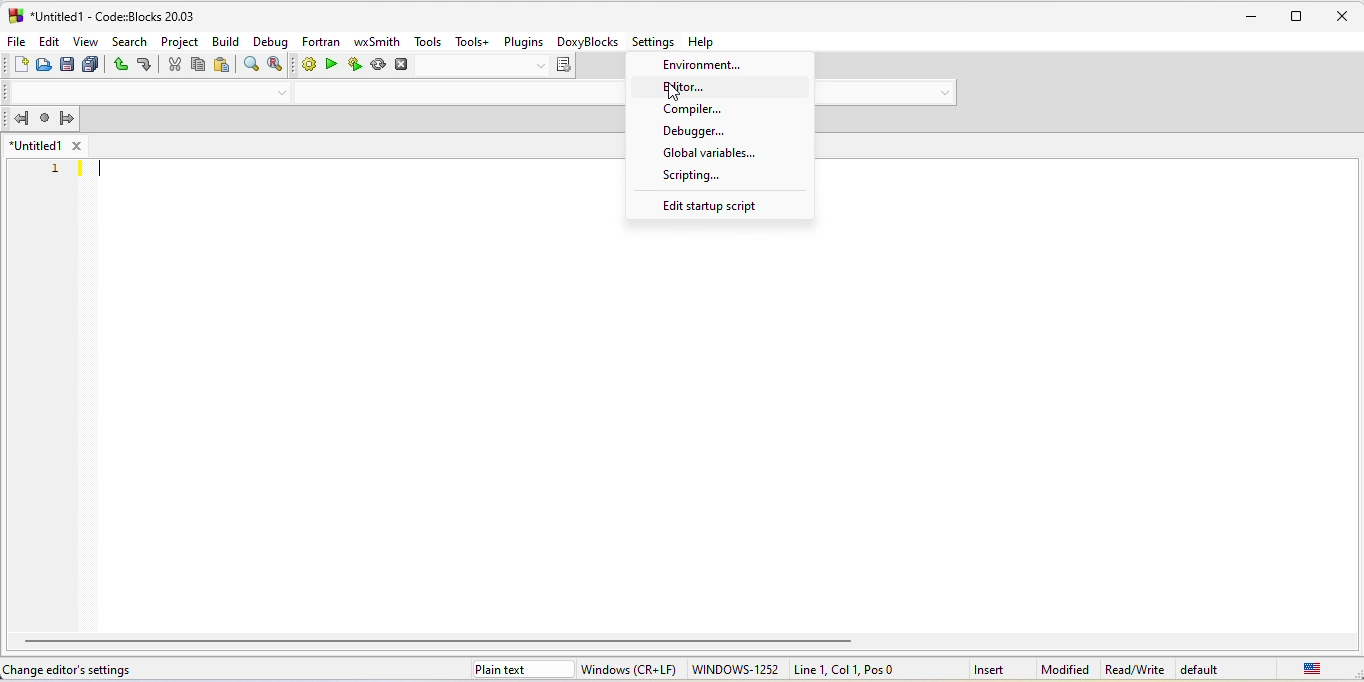  What do you see at coordinates (75, 145) in the screenshot?
I see `close` at bounding box center [75, 145].